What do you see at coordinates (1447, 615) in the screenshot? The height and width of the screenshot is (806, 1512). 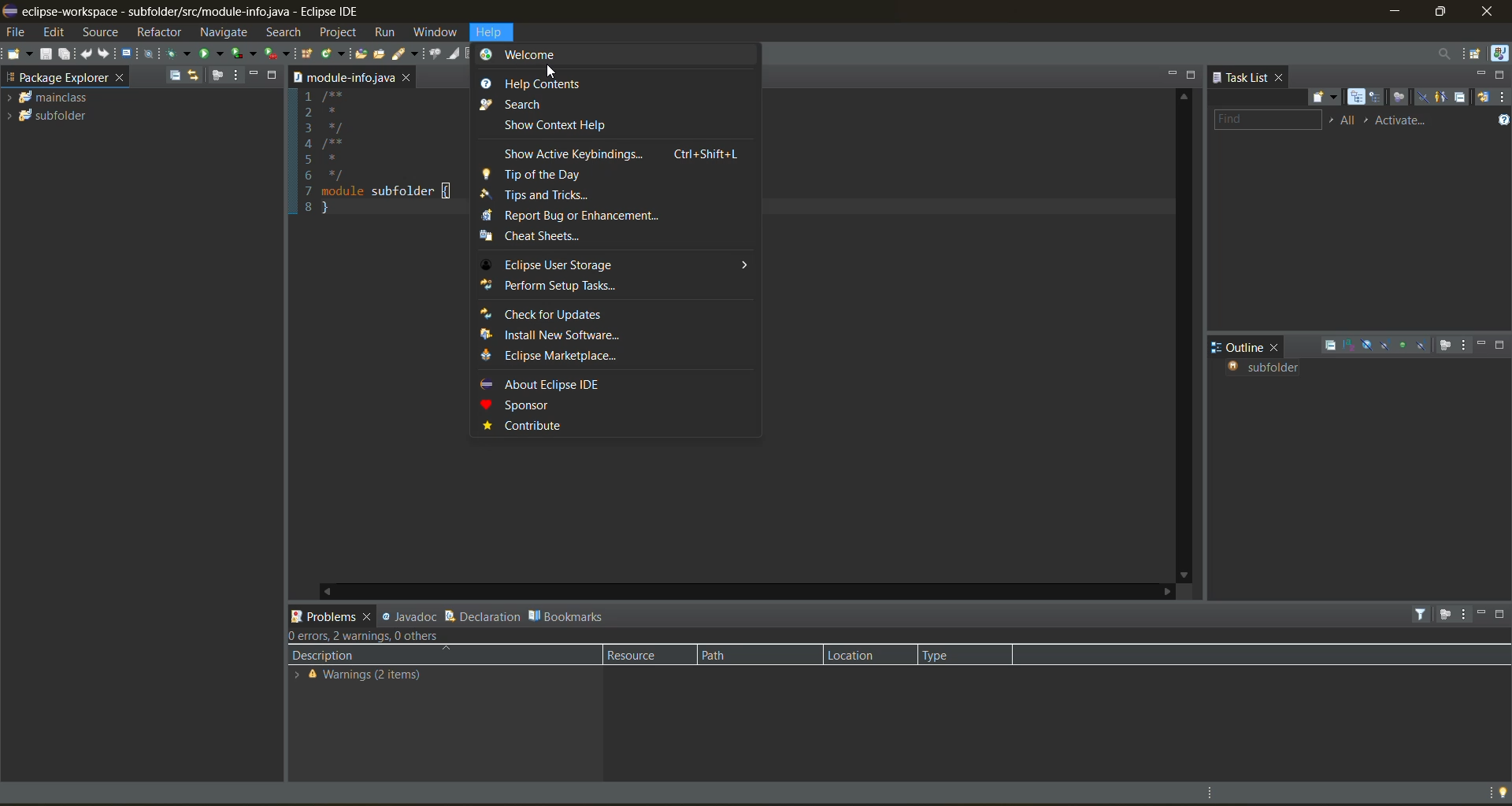 I see `focus on active task` at bounding box center [1447, 615].